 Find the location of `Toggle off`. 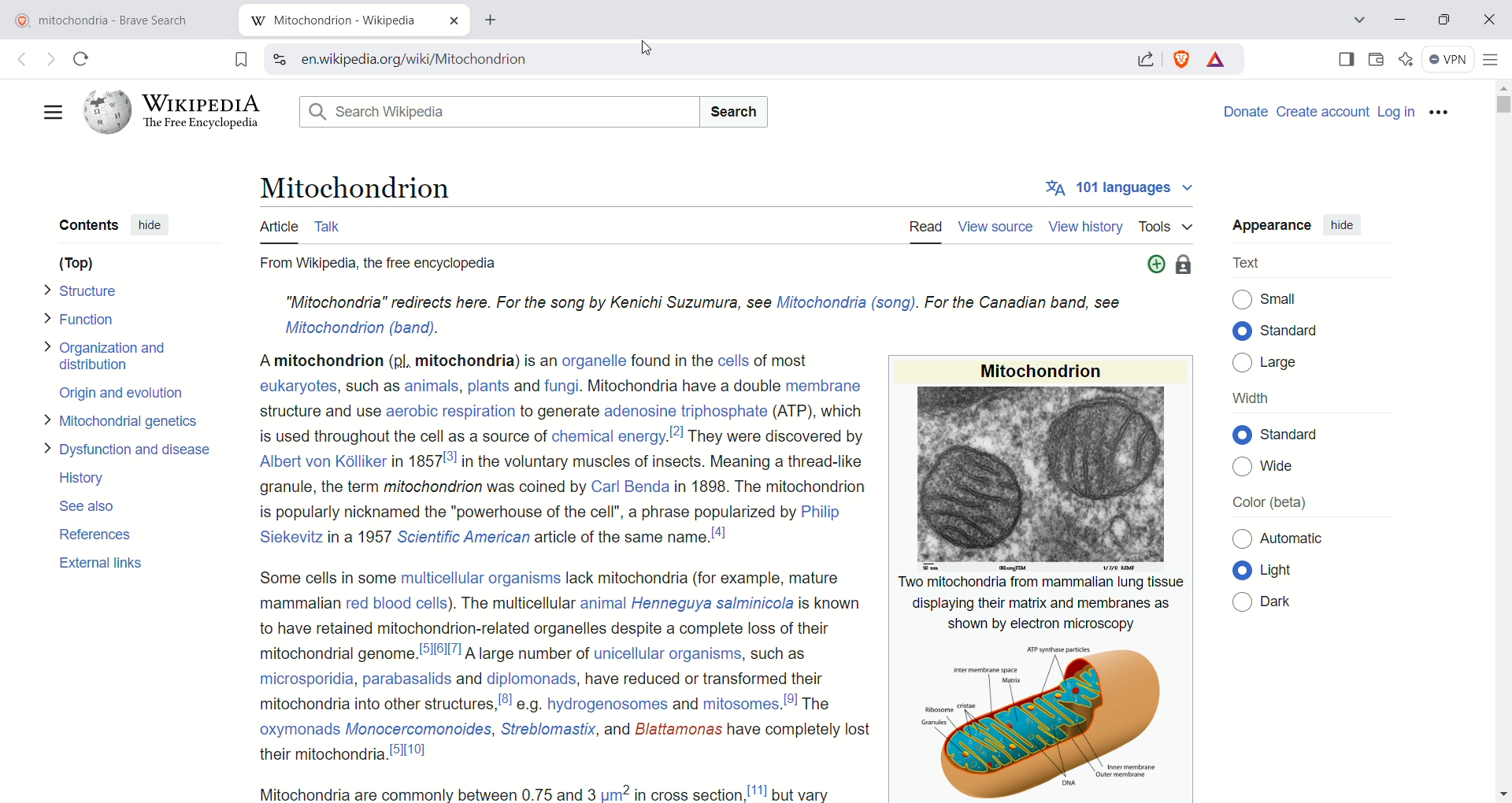

Toggle off is located at coordinates (1241, 601).